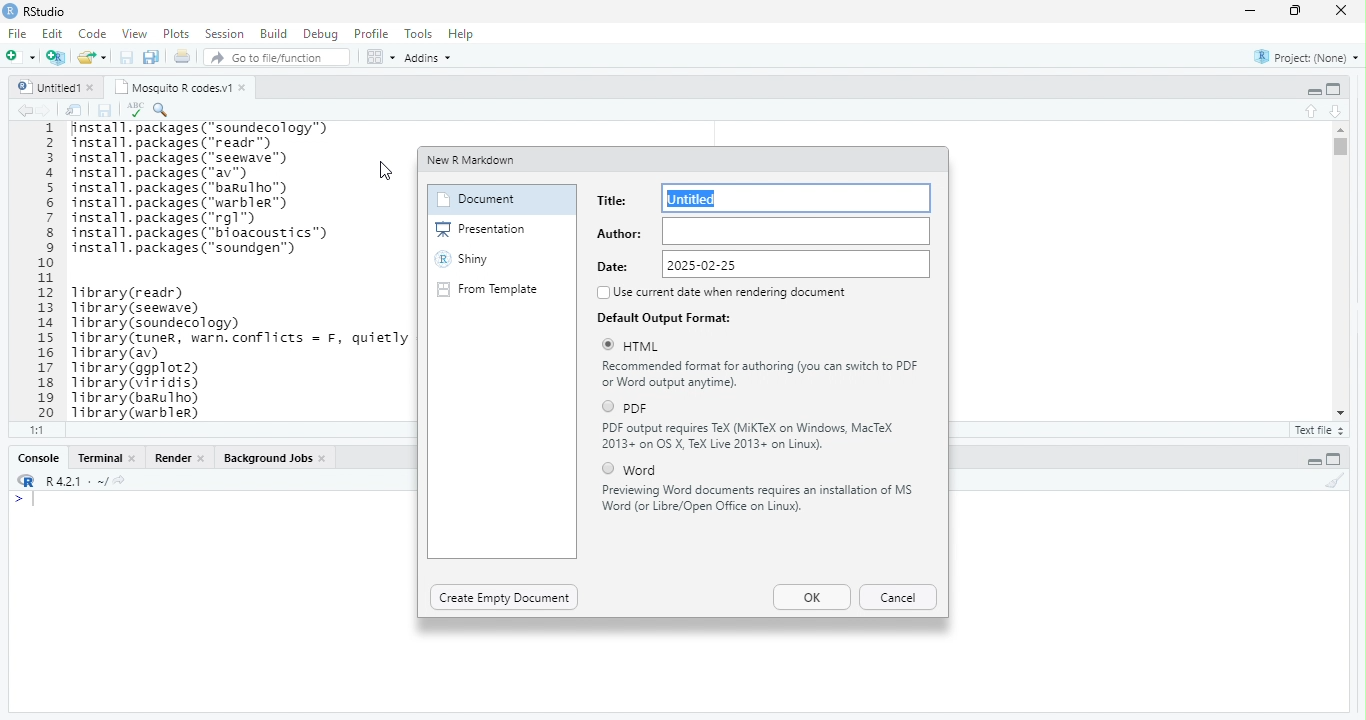 The image size is (1366, 720). Describe the element at coordinates (22, 56) in the screenshot. I see `open file` at that location.